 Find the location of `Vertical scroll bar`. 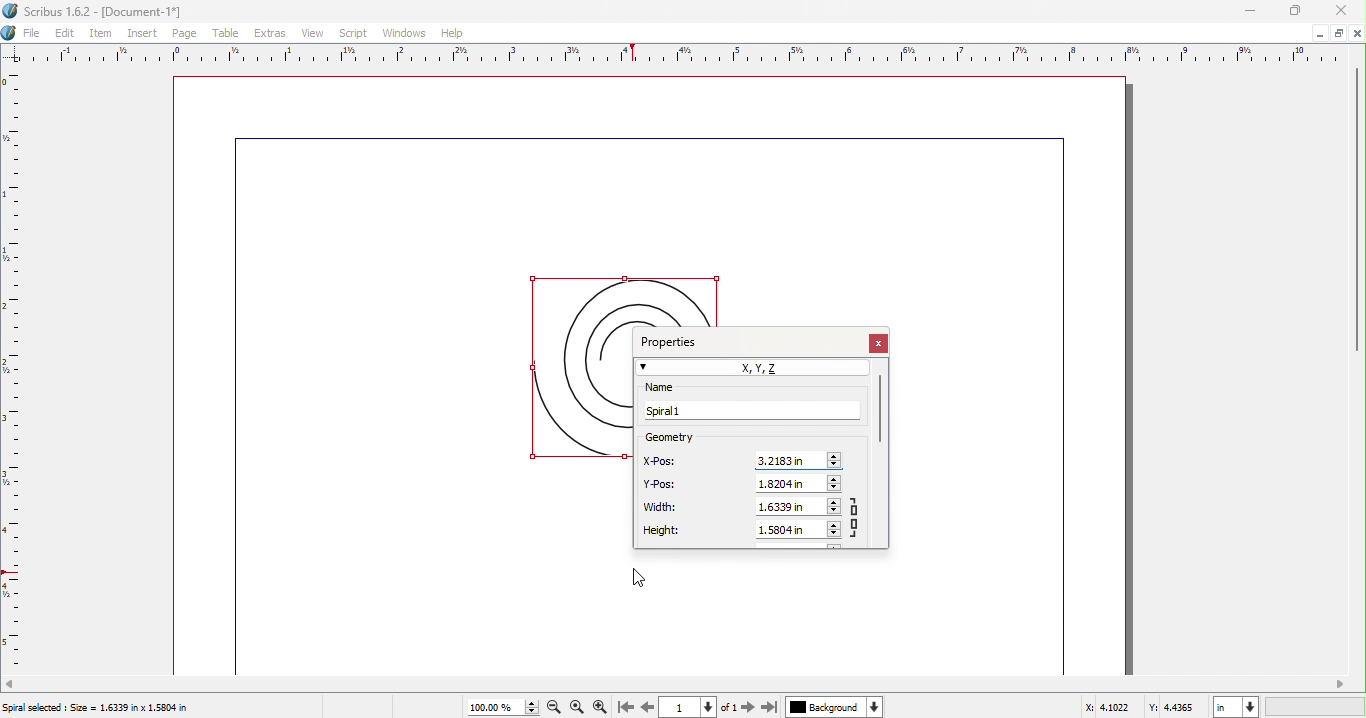

Vertical scroll bar is located at coordinates (1358, 200).